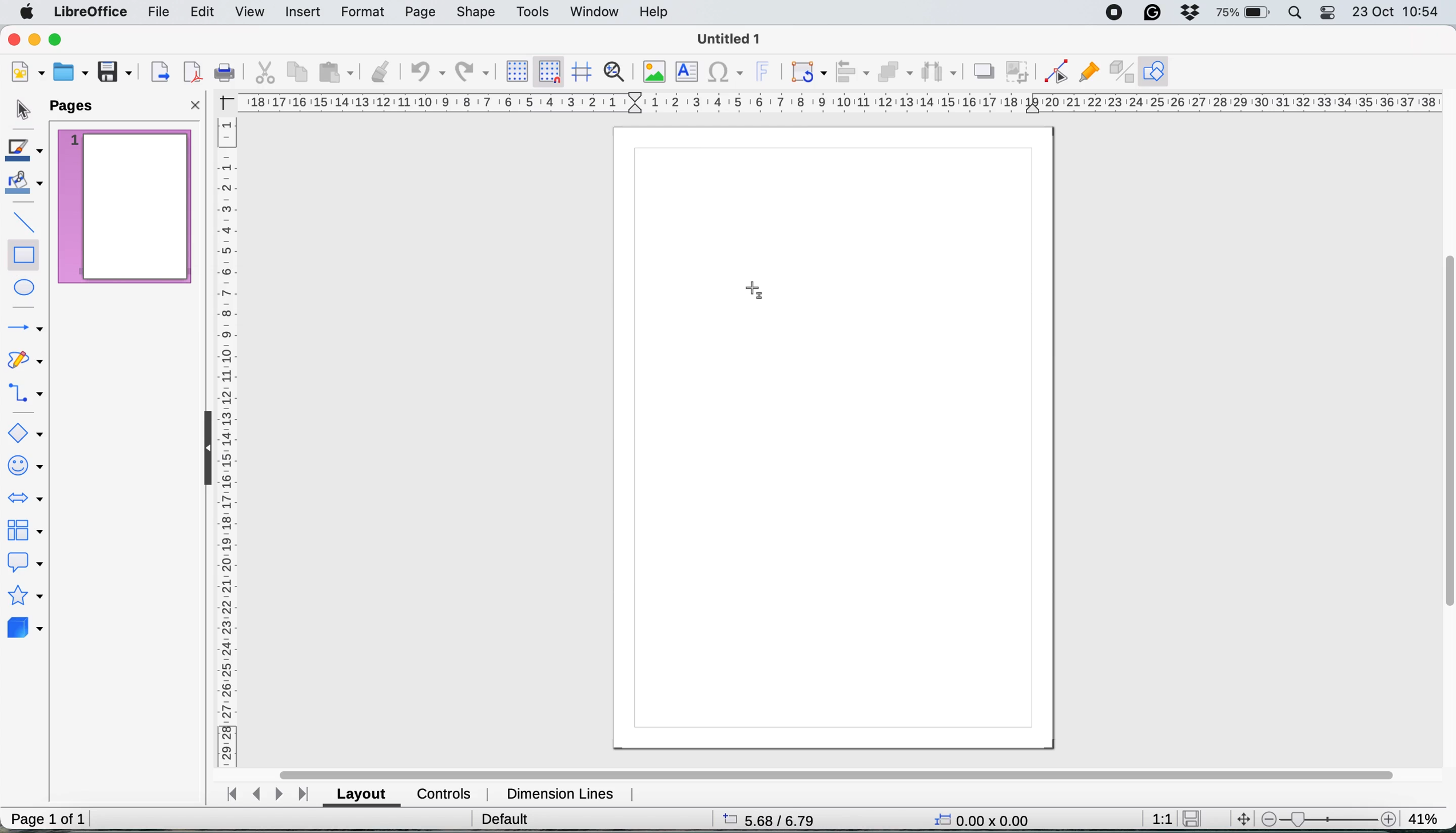 The image size is (1456, 833). Describe the element at coordinates (1119, 73) in the screenshot. I see `toggle extrusion` at that location.